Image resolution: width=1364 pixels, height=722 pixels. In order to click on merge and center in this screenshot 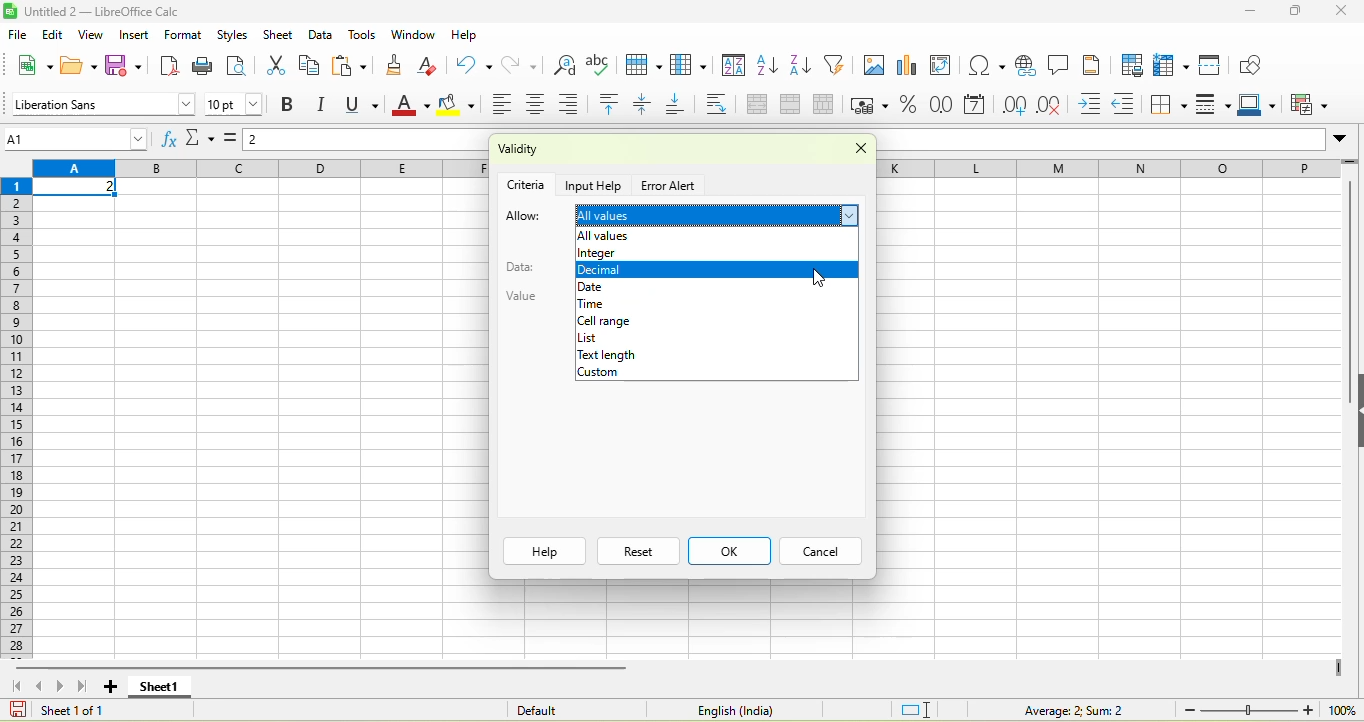, I will do `click(757, 106)`.